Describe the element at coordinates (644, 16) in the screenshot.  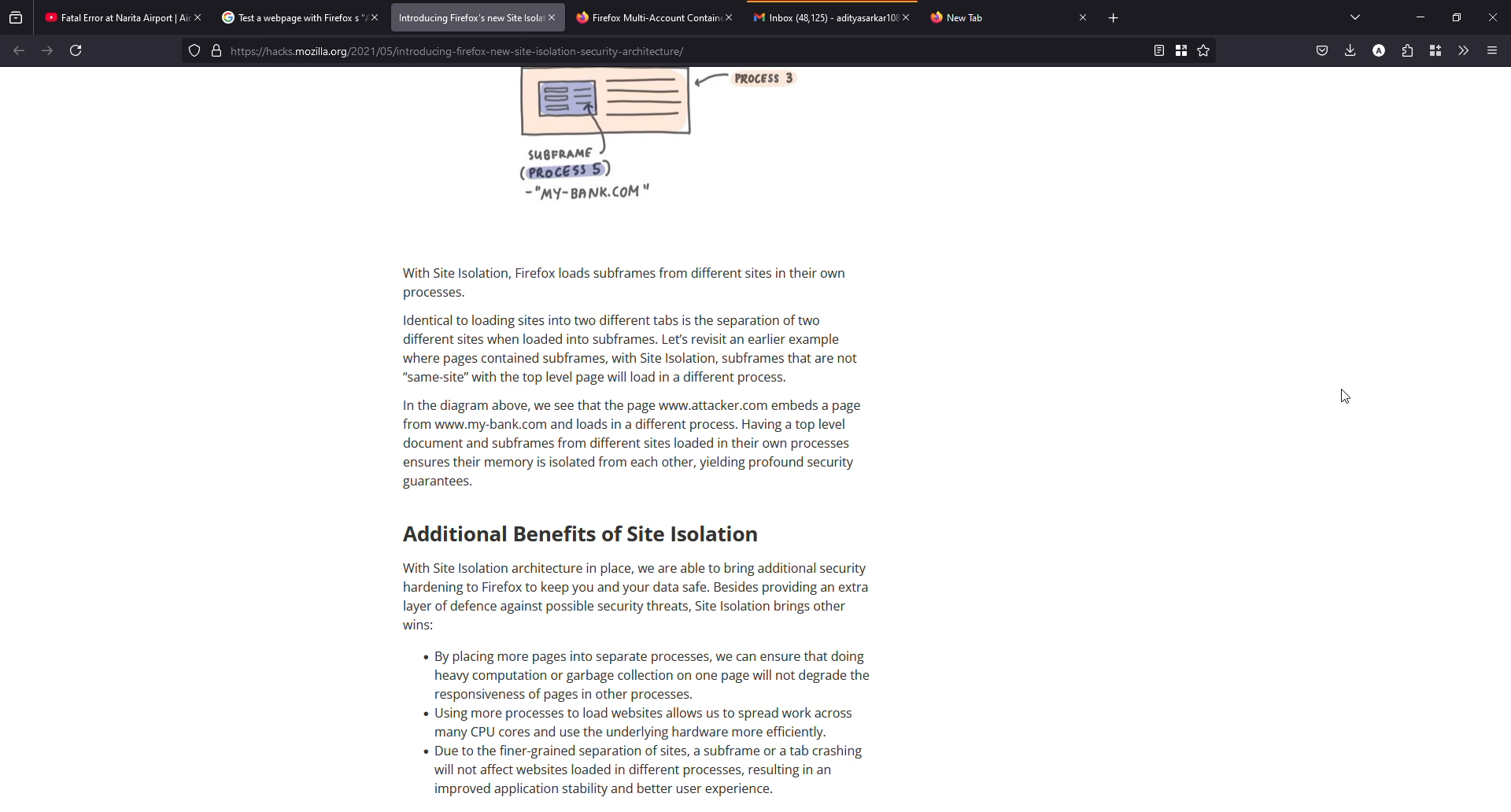
I see `Firefox Multi-Account Contain` at that location.